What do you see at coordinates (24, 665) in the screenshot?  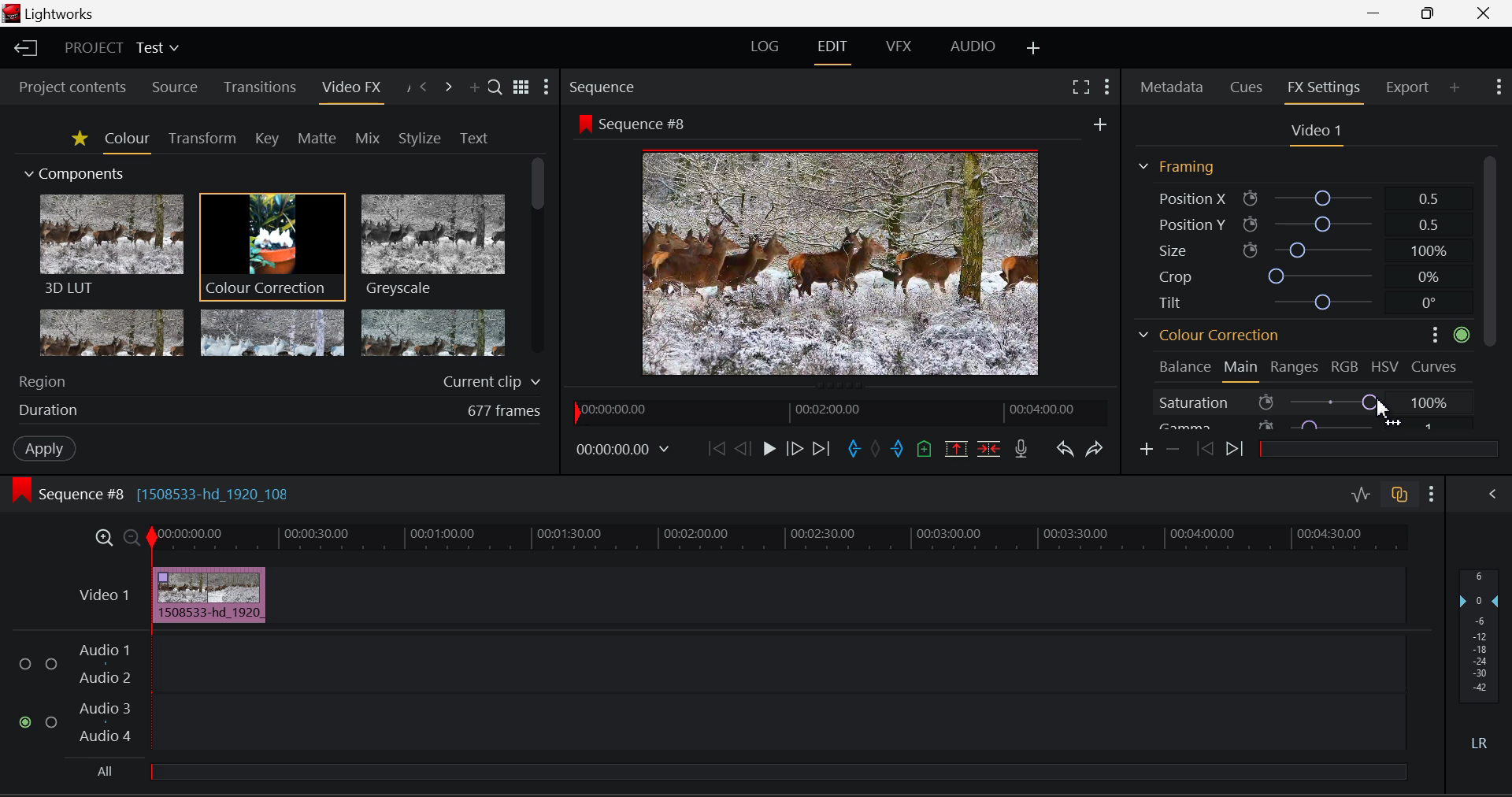 I see `Audio Input Checkbox` at bounding box center [24, 665].